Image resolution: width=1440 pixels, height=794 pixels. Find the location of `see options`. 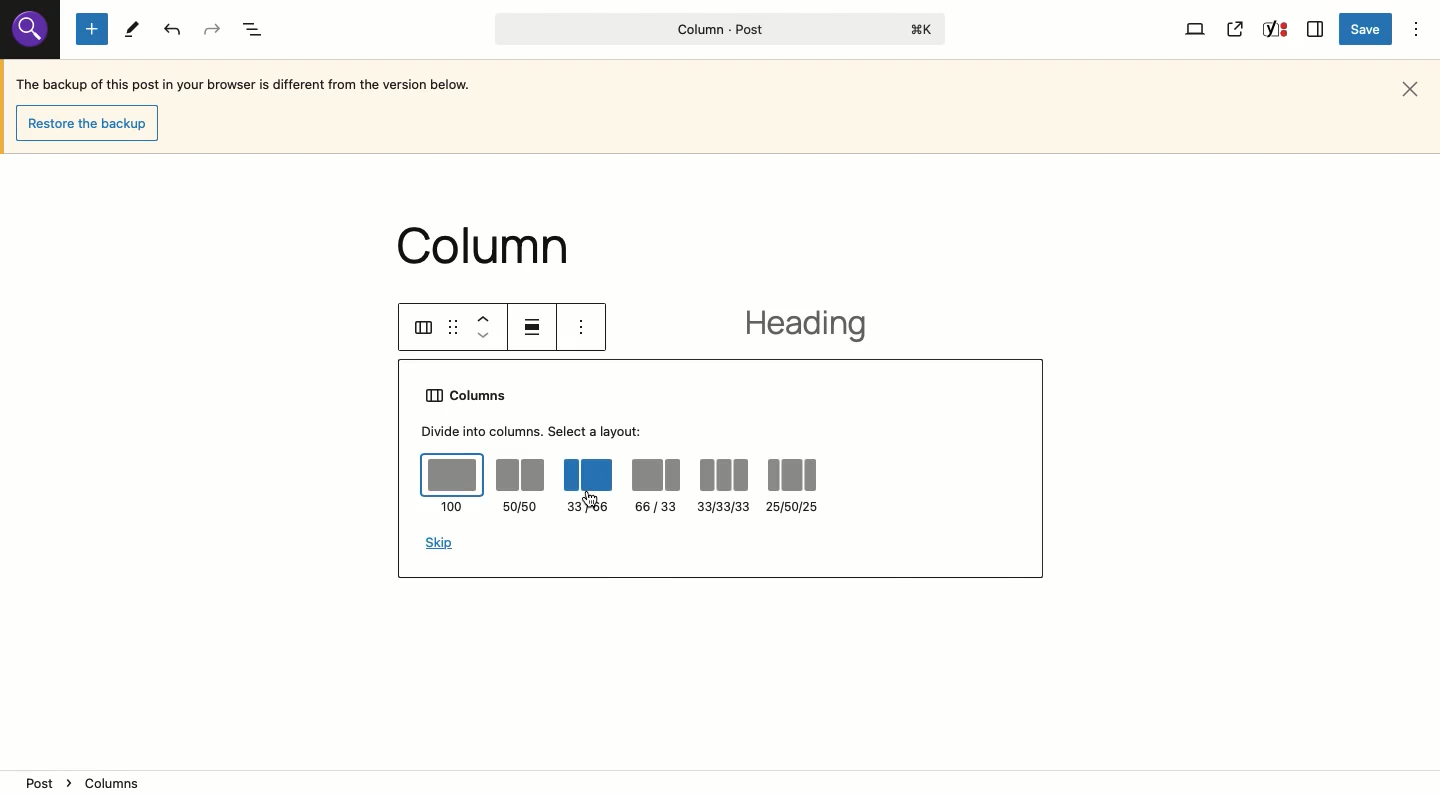

see options is located at coordinates (589, 327).